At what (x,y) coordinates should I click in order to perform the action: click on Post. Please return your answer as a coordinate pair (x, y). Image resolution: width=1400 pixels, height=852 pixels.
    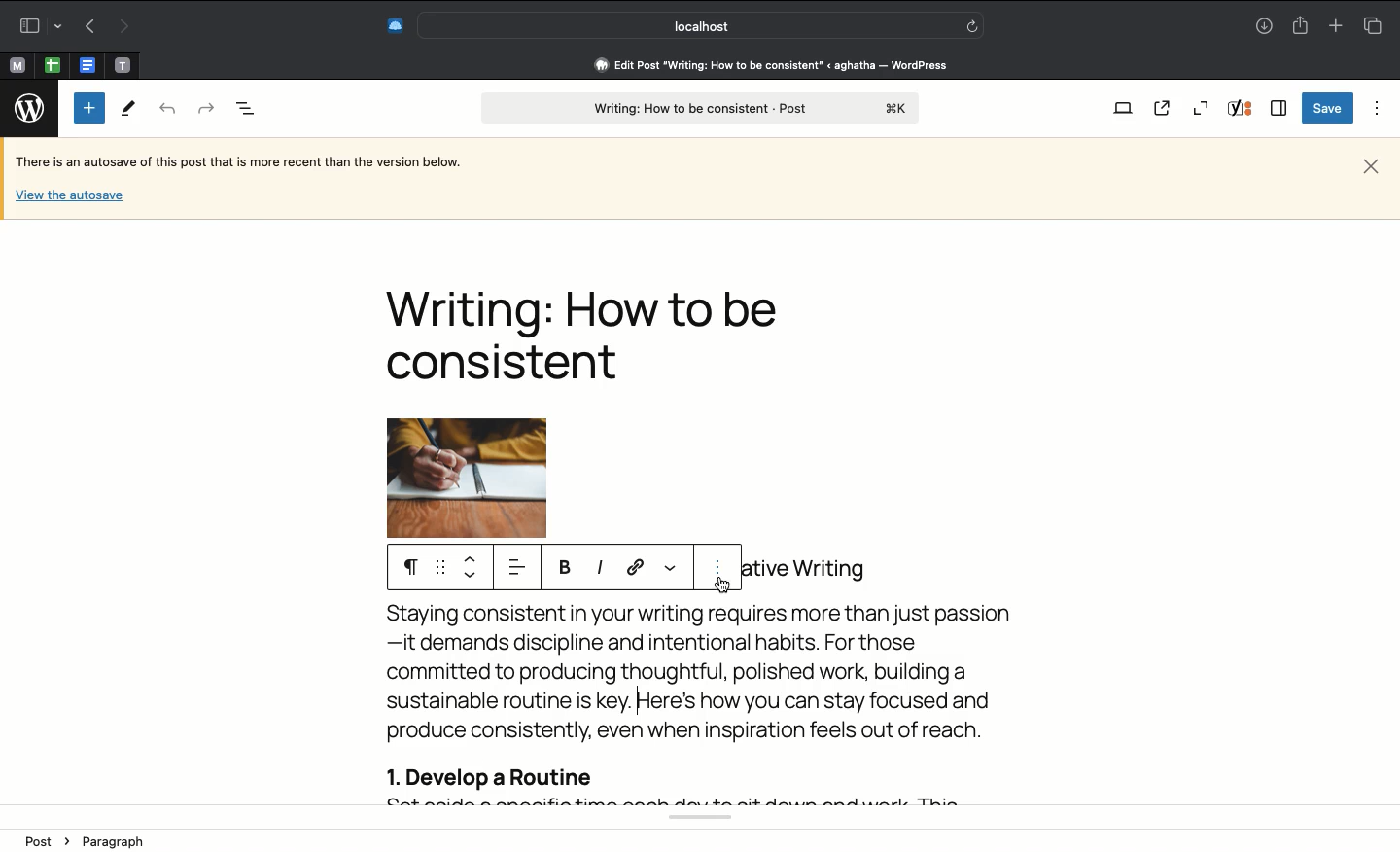
    Looking at the image, I should click on (44, 840).